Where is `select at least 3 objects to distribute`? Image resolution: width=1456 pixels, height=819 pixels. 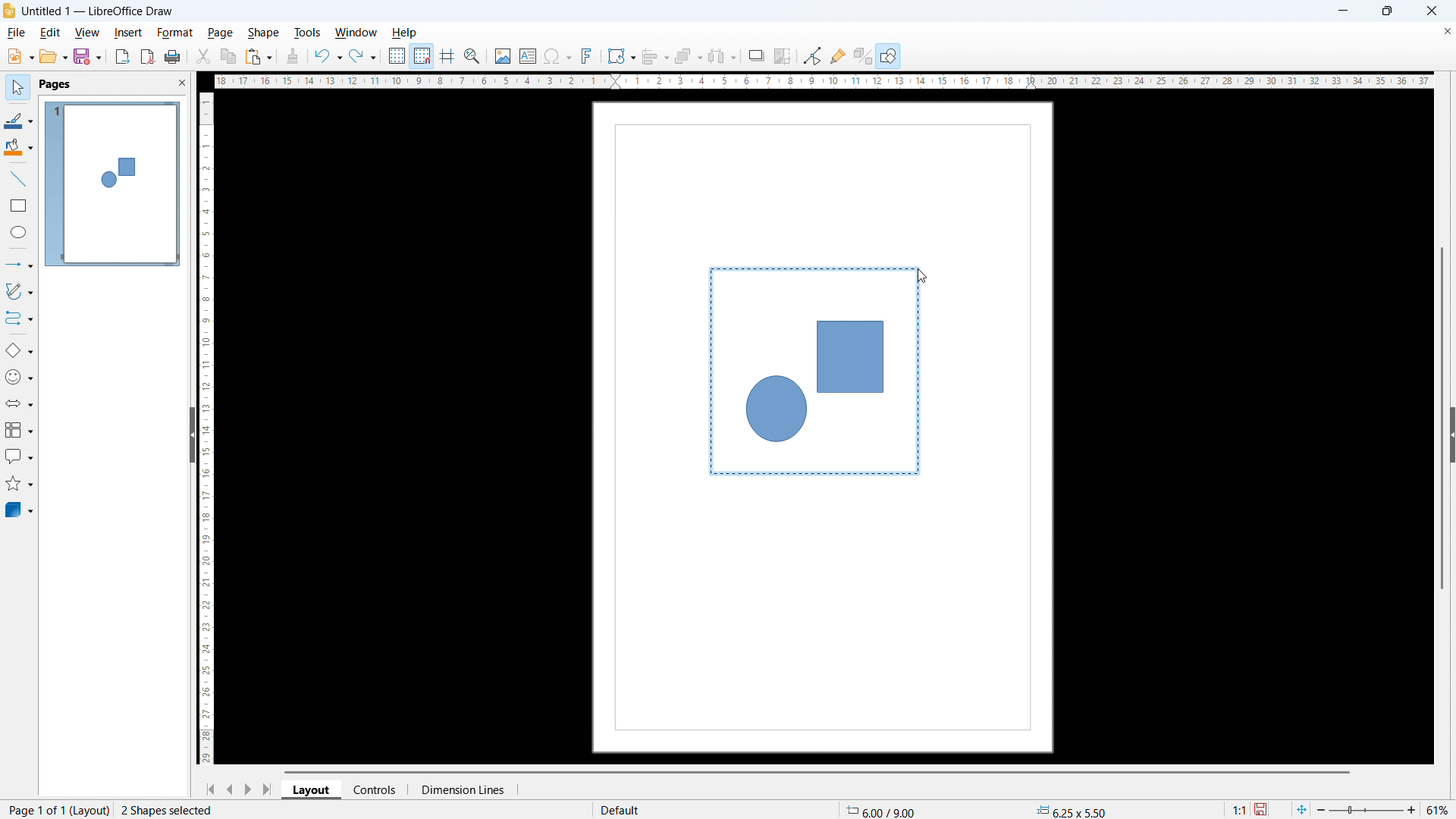
select at least 3 objects to distribute is located at coordinates (723, 55).